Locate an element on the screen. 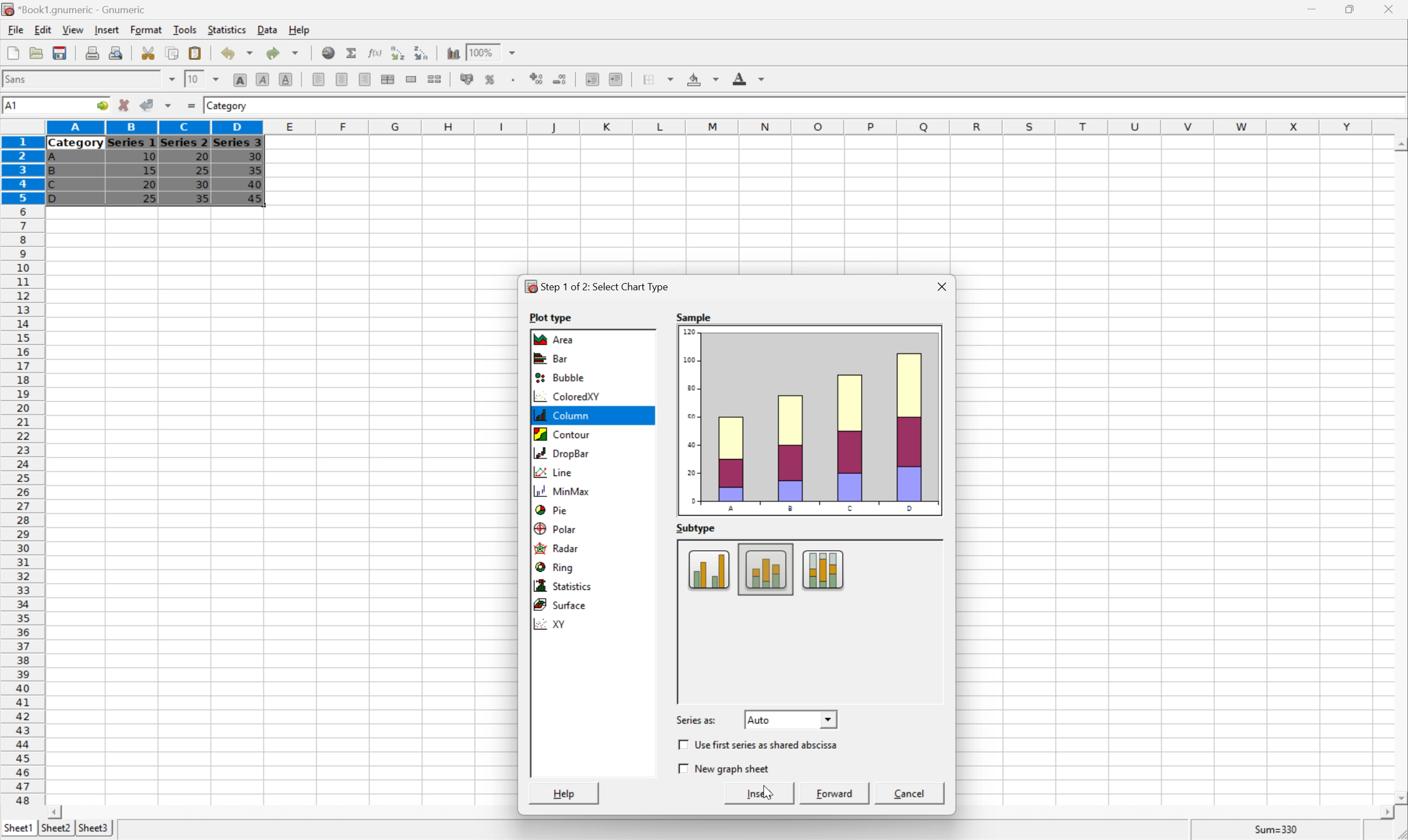  Decrease the number of decimals displayed is located at coordinates (559, 78).